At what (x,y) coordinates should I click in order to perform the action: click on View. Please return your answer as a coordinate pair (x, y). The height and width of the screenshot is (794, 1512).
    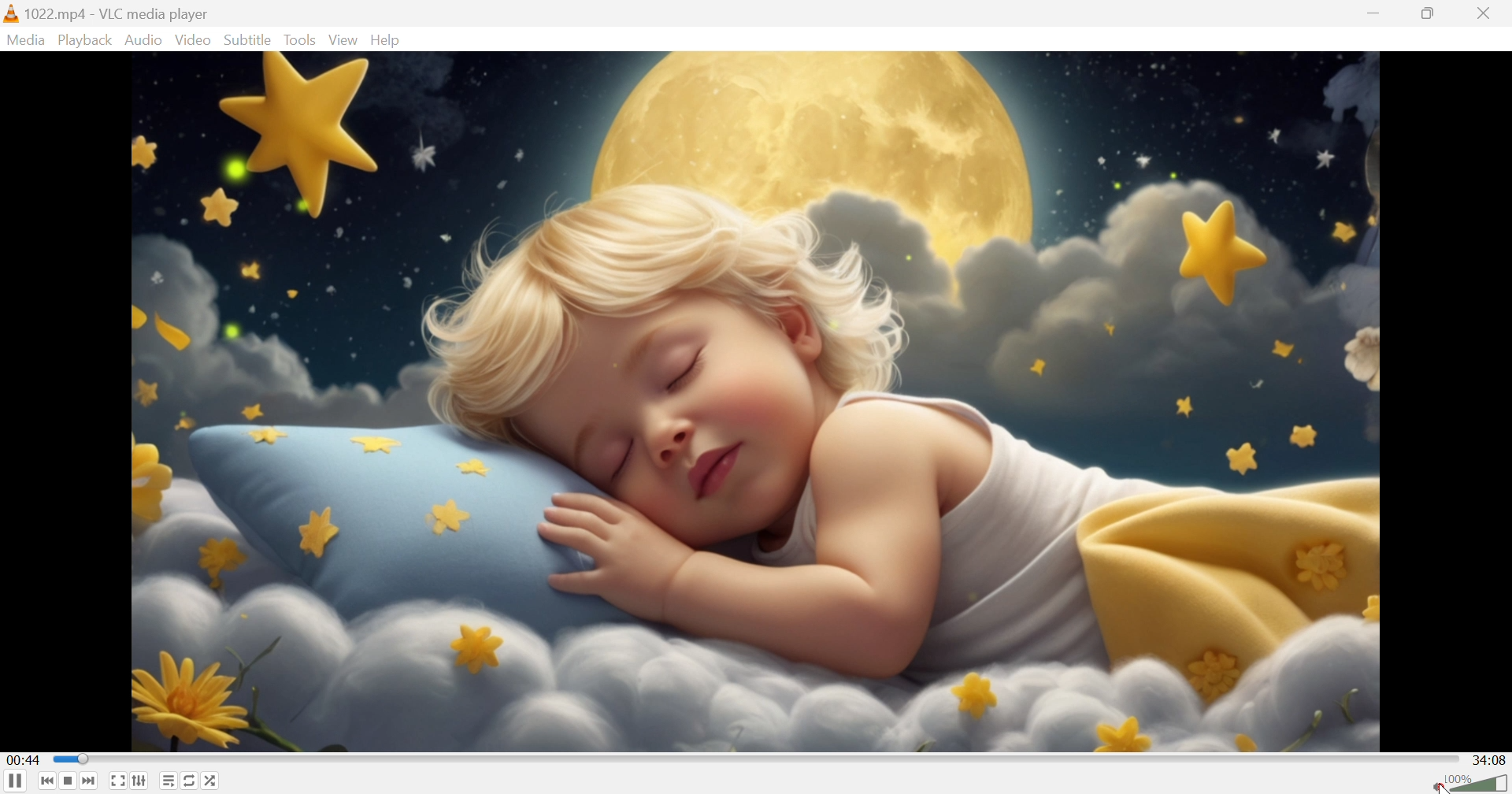
    Looking at the image, I should click on (343, 40).